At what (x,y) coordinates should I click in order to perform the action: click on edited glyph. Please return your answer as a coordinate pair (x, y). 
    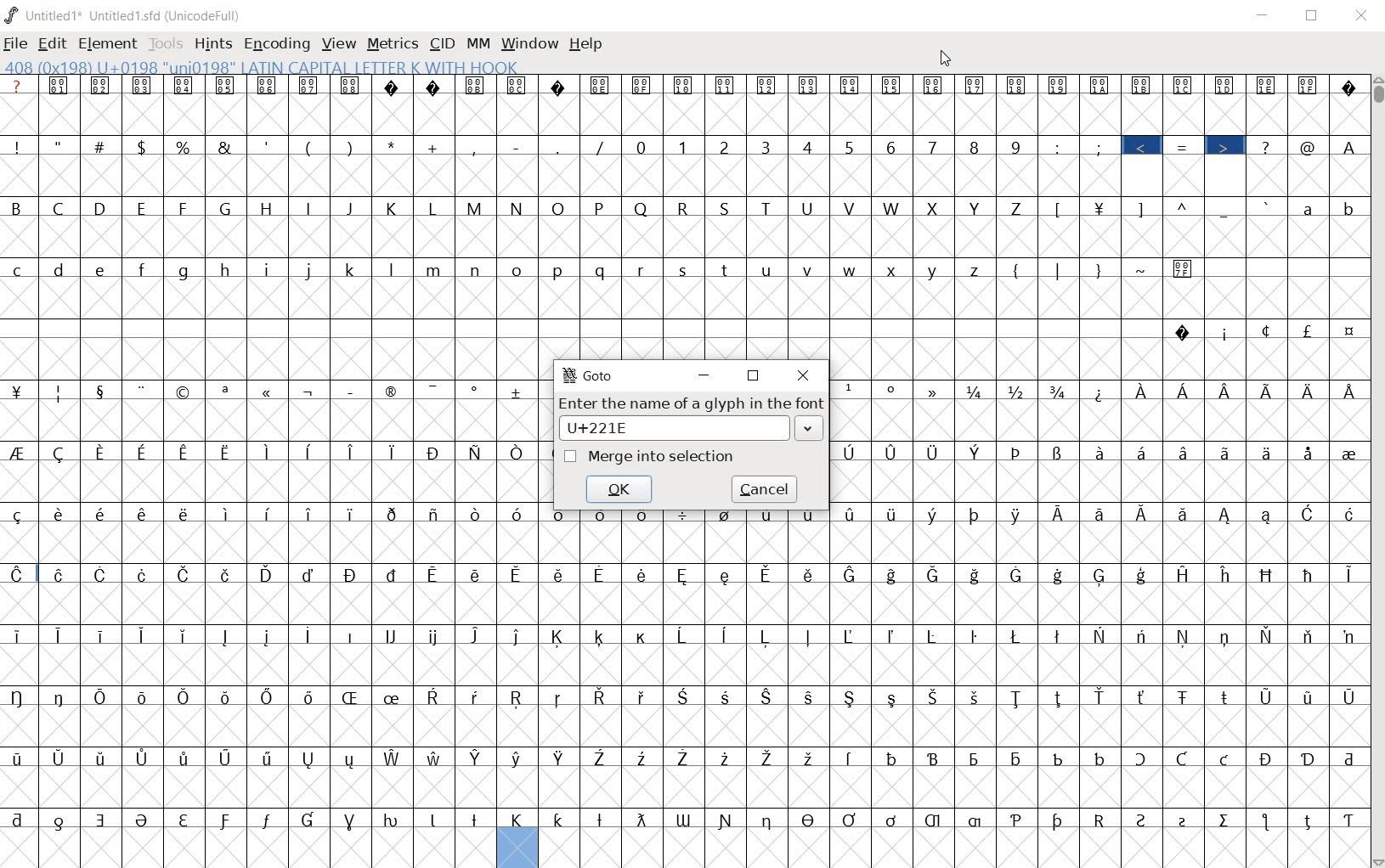
    Looking at the image, I should click on (953, 848).